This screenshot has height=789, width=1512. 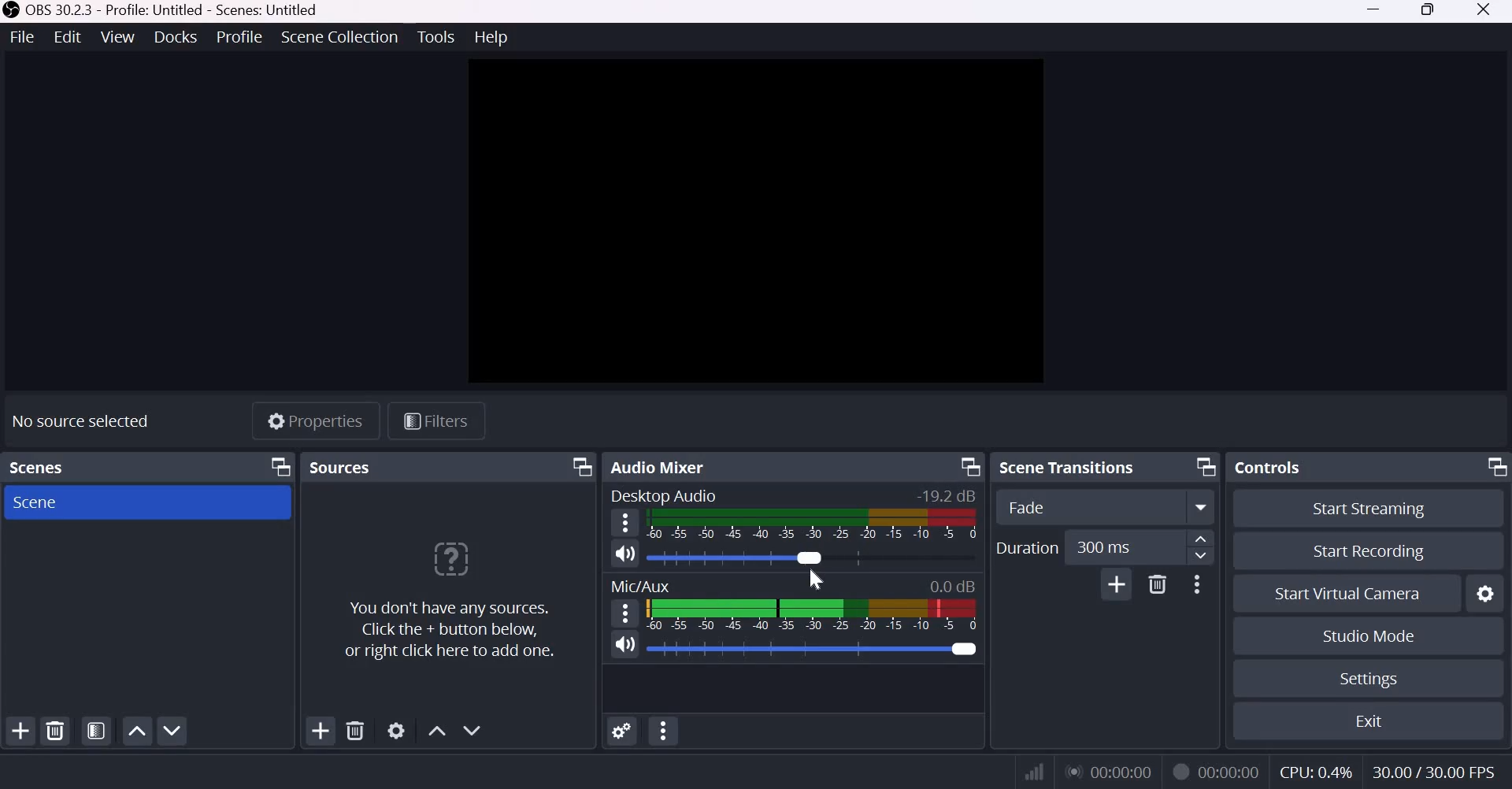 What do you see at coordinates (1232, 769) in the screenshot?
I see `00:00:00` at bounding box center [1232, 769].